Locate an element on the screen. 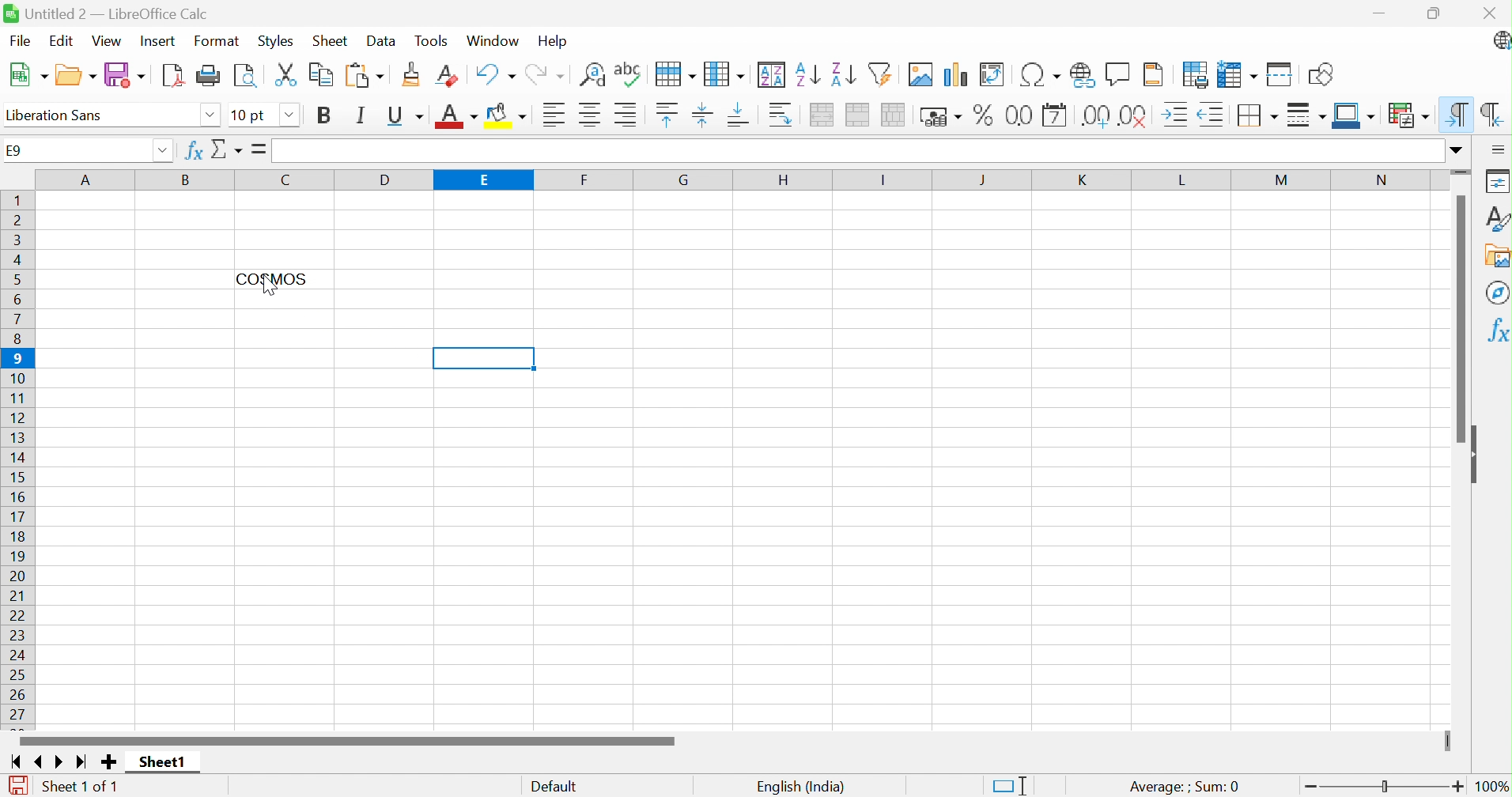 The image size is (1512, 797). Freeze rows and columns is located at coordinates (1235, 74).